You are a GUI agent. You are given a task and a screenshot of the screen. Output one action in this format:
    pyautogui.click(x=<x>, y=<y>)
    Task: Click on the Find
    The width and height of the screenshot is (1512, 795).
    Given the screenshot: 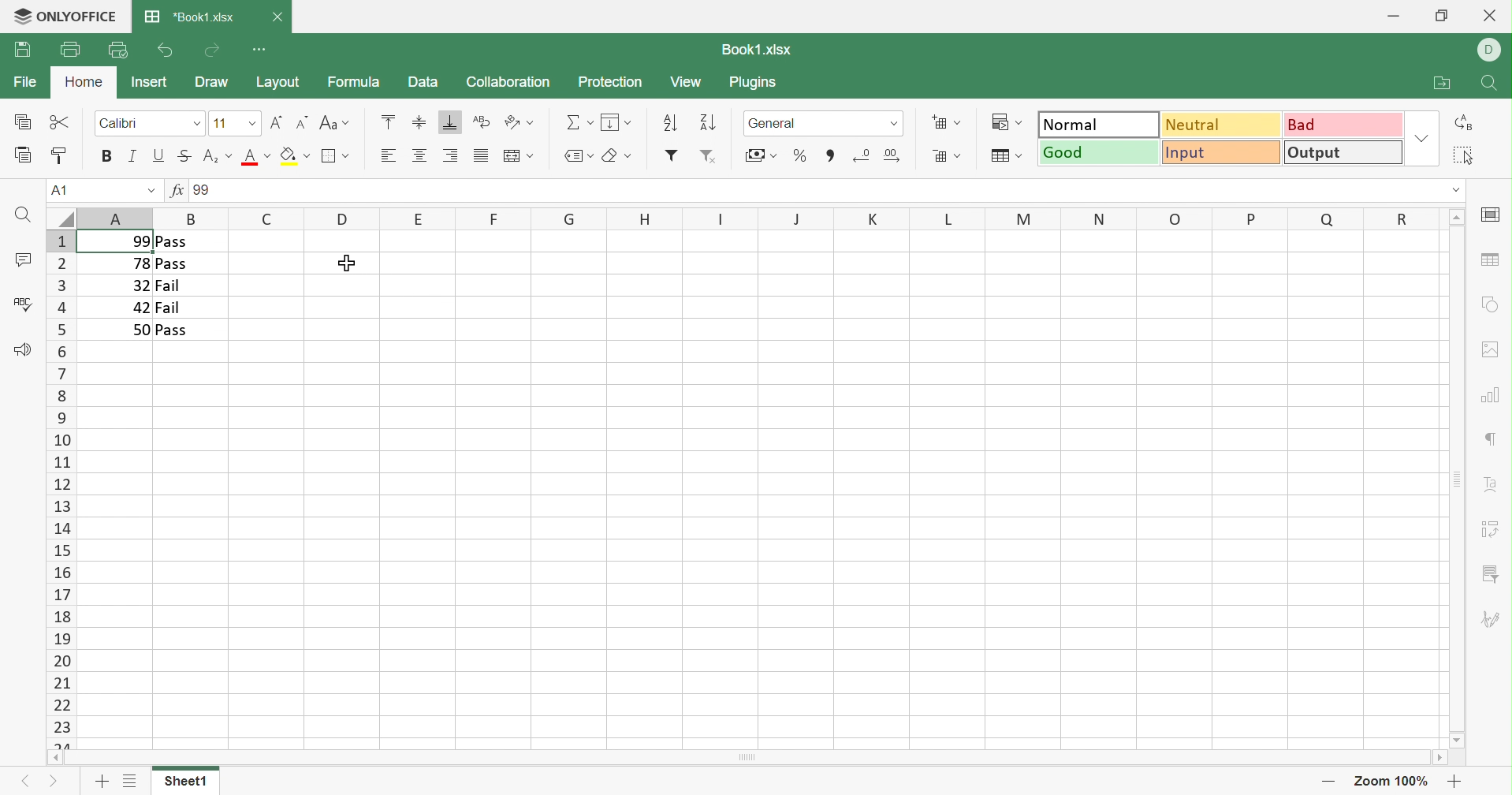 What is the action you would take?
    pyautogui.click(x=20, y=215)
    